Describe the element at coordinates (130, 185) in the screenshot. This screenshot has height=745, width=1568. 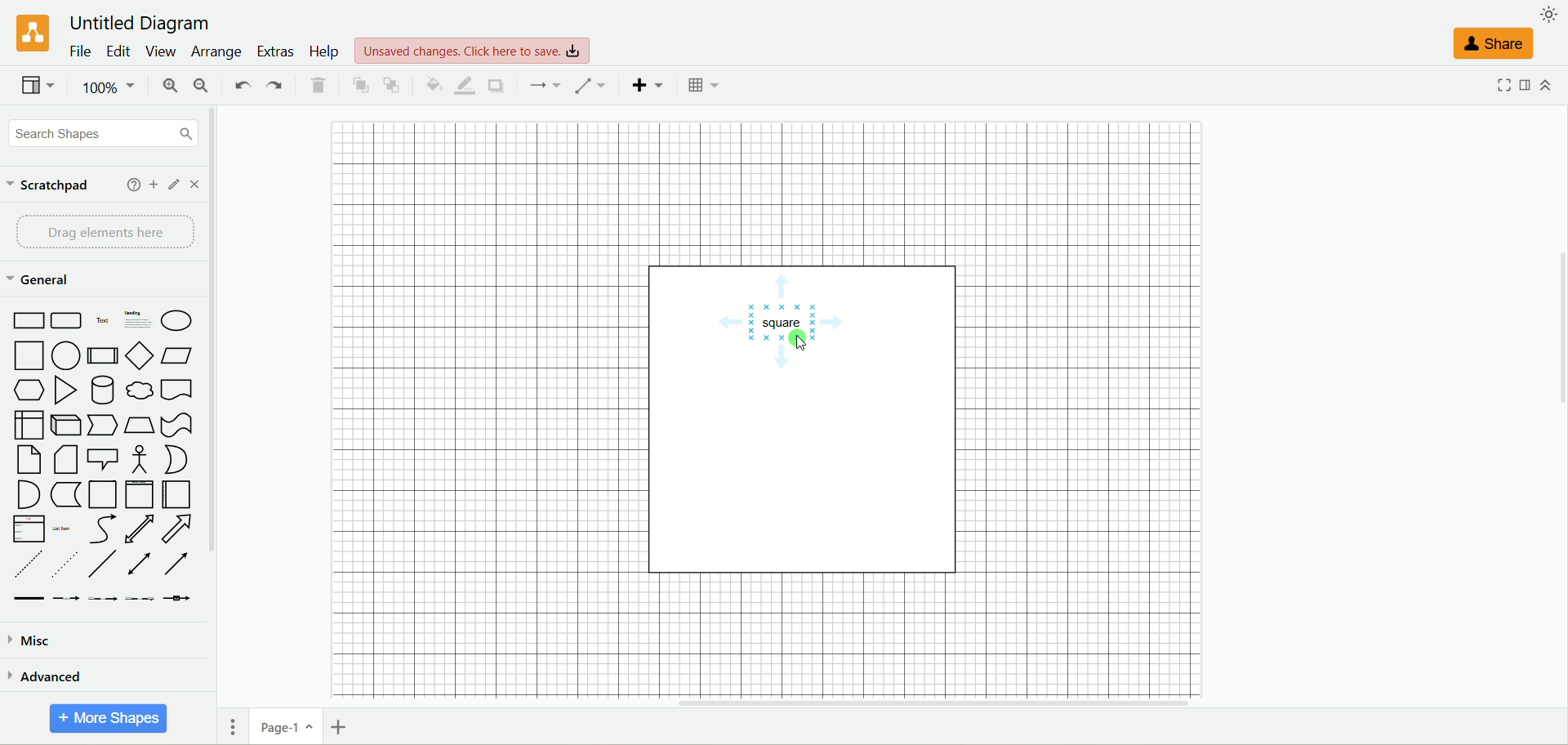
I see `help` at that location.